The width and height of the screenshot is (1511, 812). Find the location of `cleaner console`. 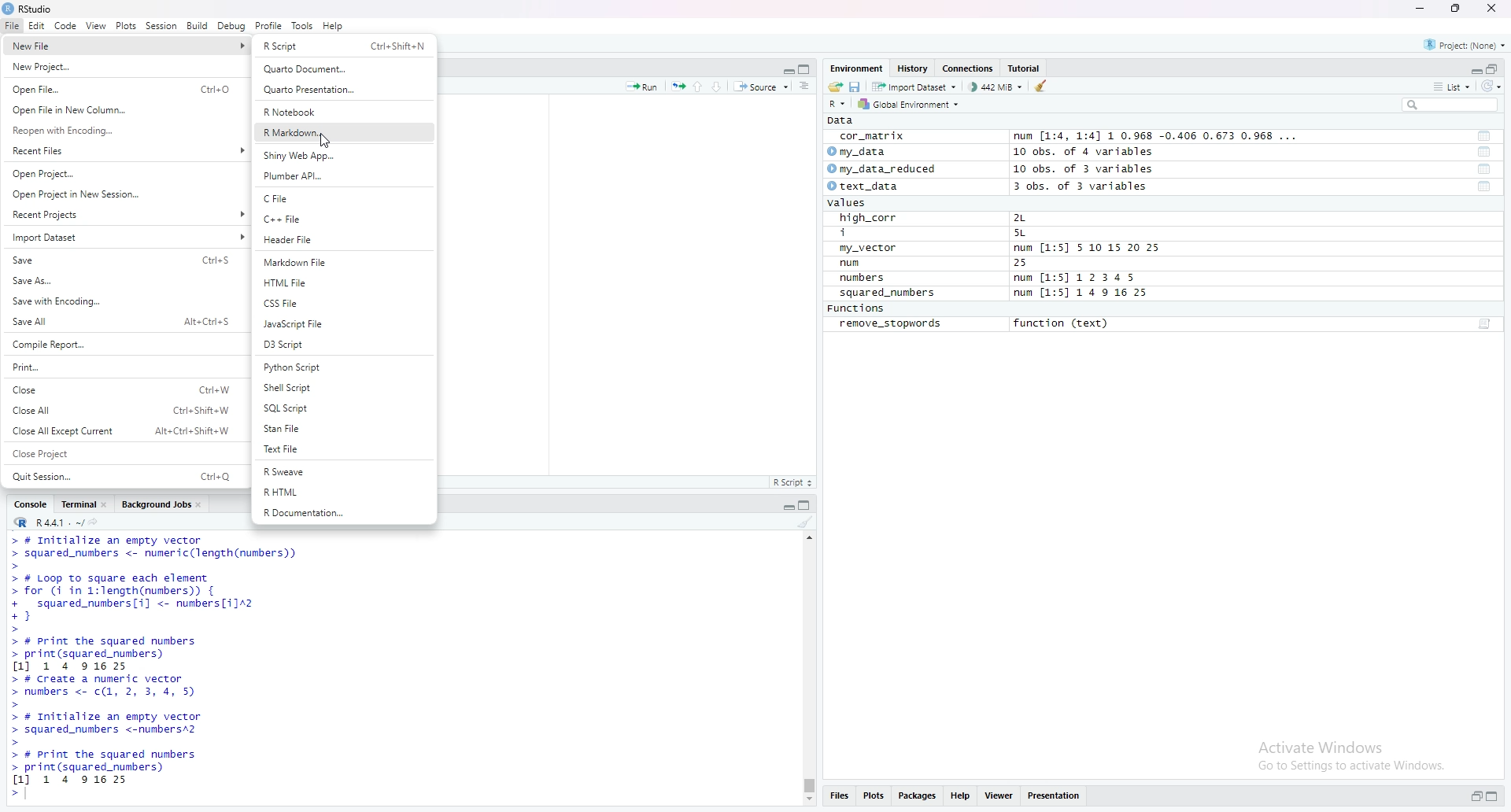

cleaner console is located at coordinates (804, 522).